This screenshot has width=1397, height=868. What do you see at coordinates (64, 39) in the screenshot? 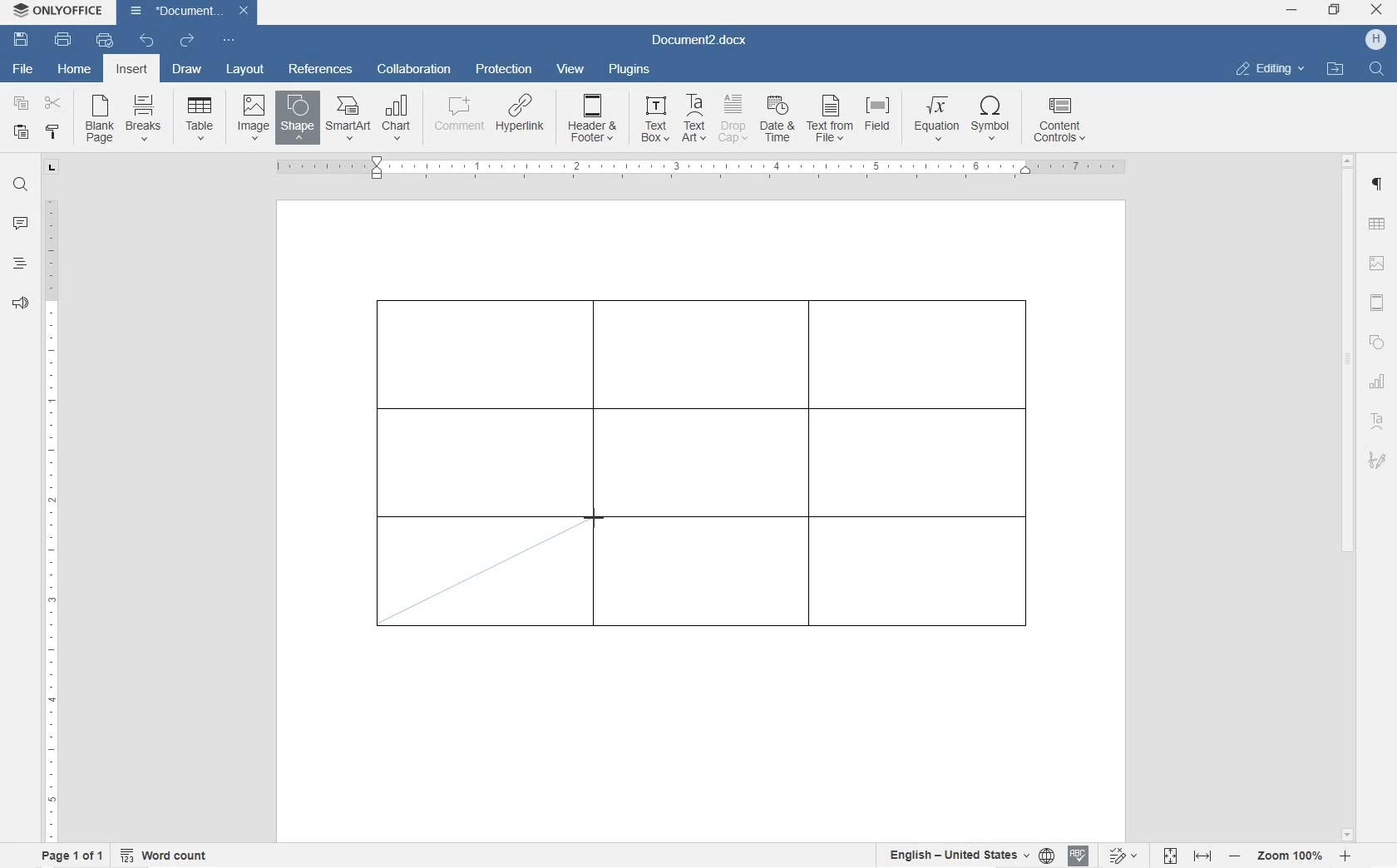
I see `print` at bounding box center [64, 39].